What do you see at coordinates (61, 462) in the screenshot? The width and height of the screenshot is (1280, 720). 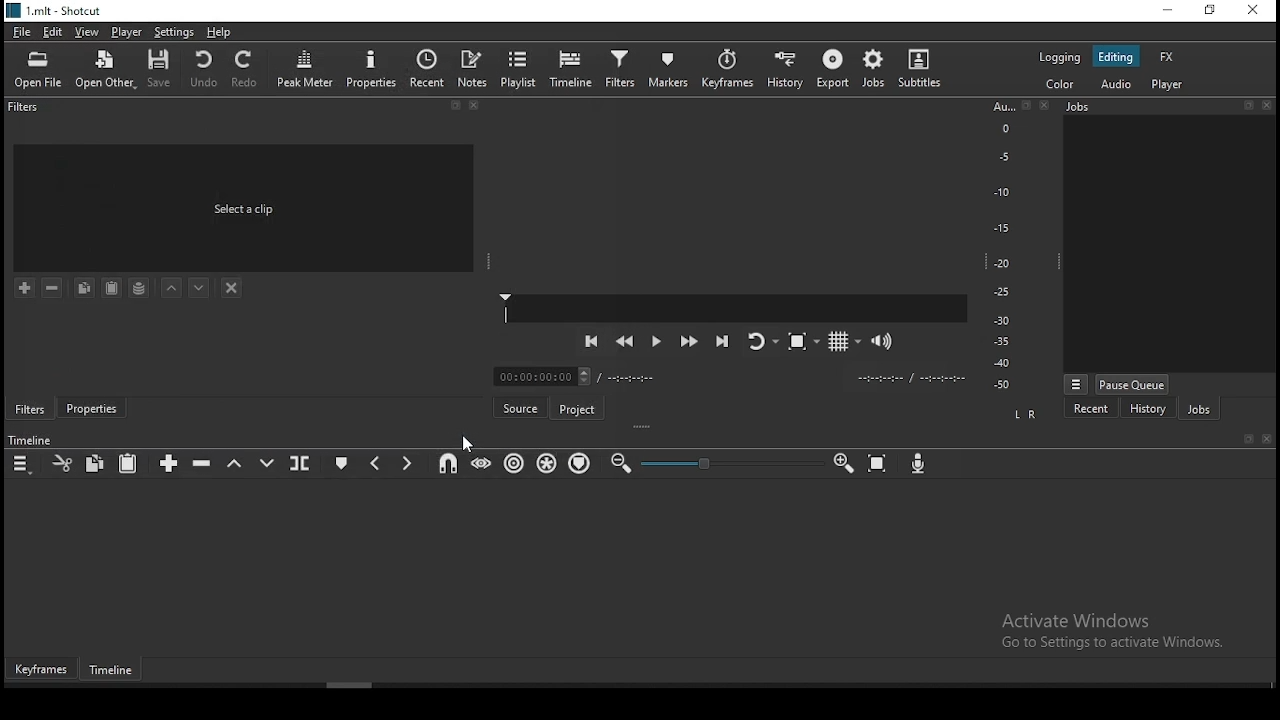 I see `cut` at bounding box center [61, 462].